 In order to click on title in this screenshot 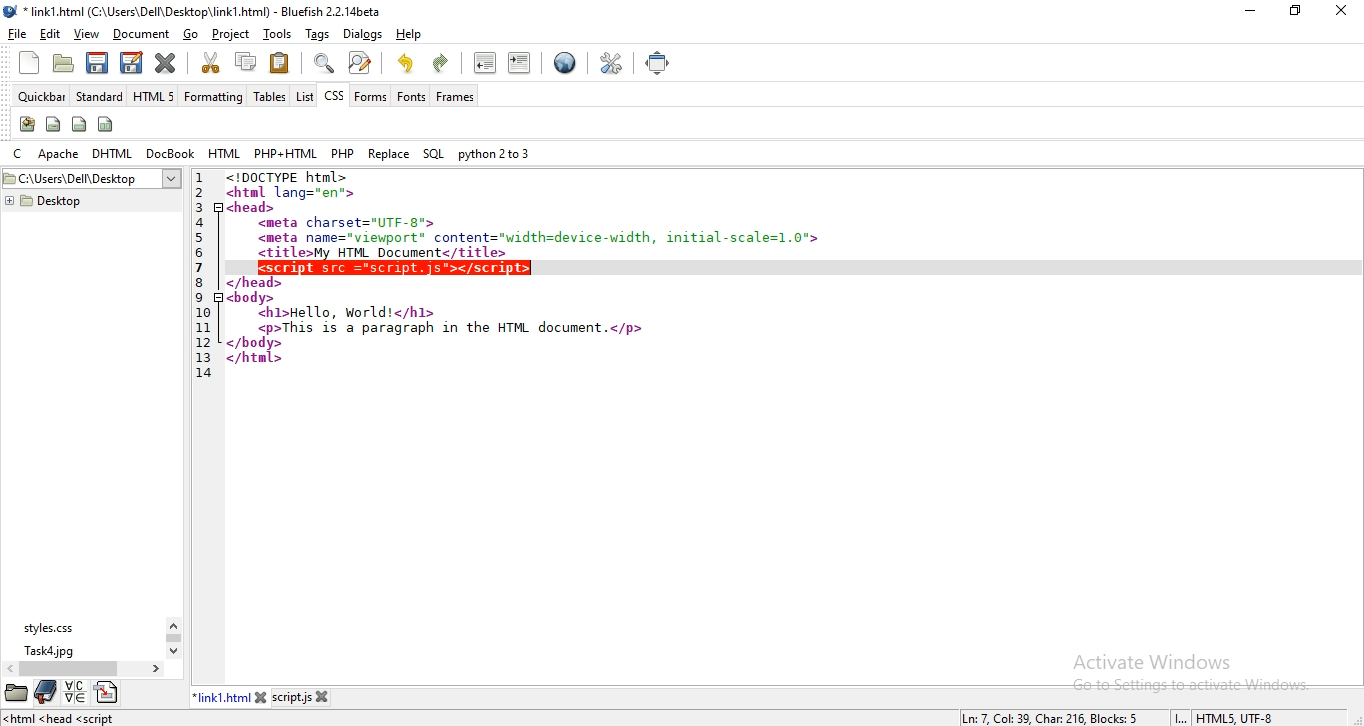, I will do `click(202, 11)`.